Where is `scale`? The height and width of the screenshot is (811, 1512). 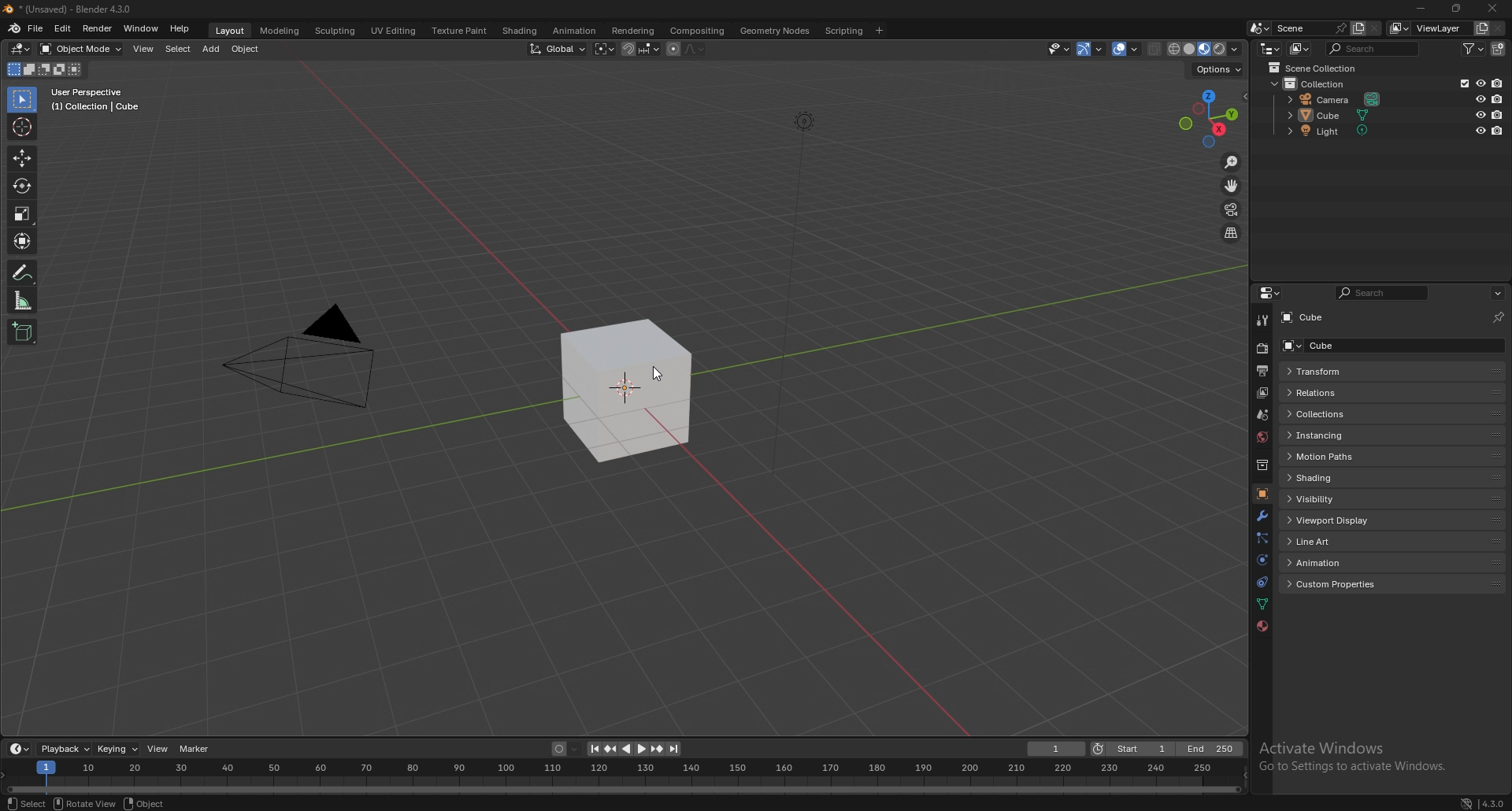
scale is located at coordinates (23, 214).